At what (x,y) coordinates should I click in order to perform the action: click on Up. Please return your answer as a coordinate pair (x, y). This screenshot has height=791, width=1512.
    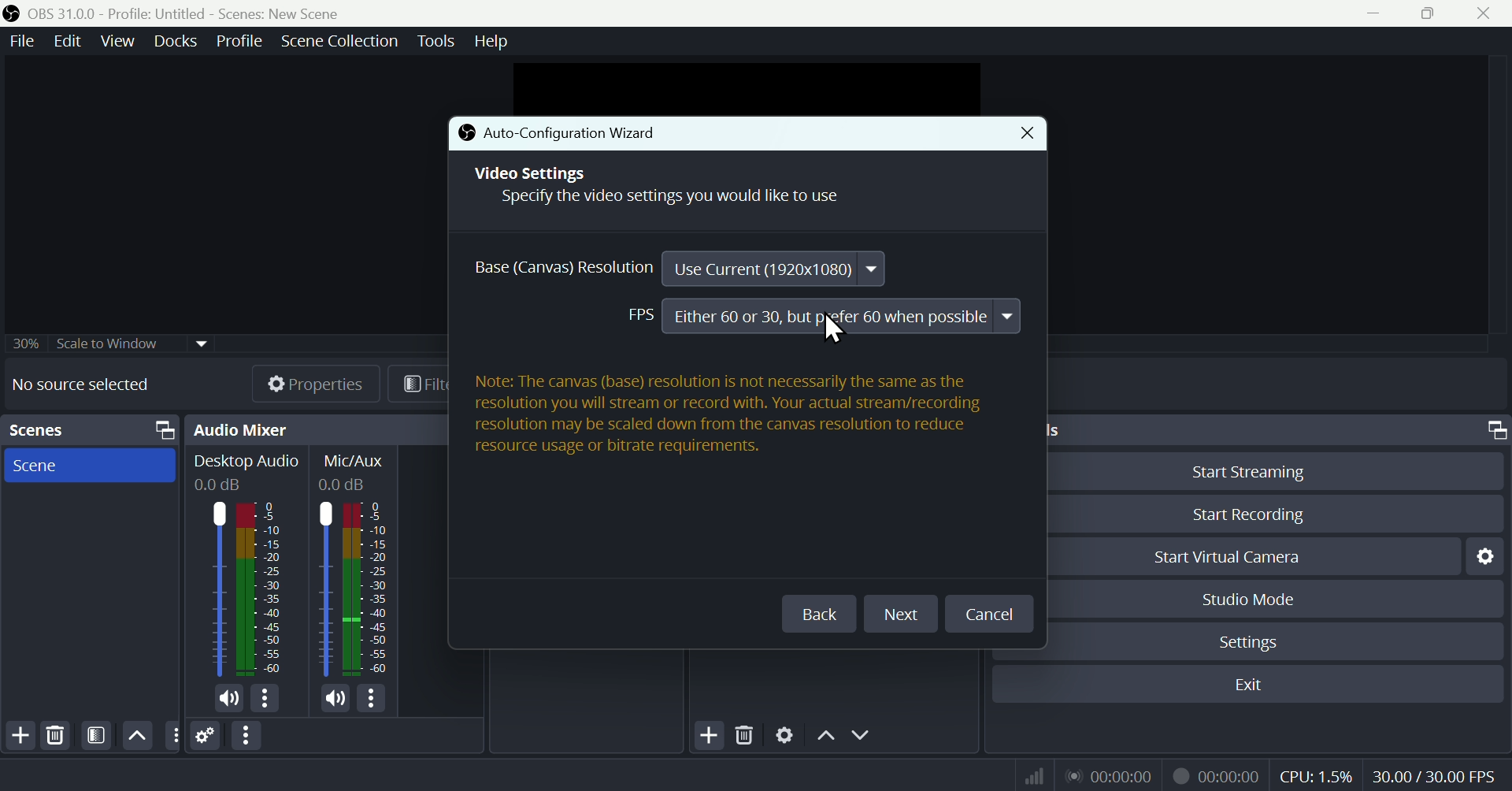
    Looking at the image, I should click on (137, 735).